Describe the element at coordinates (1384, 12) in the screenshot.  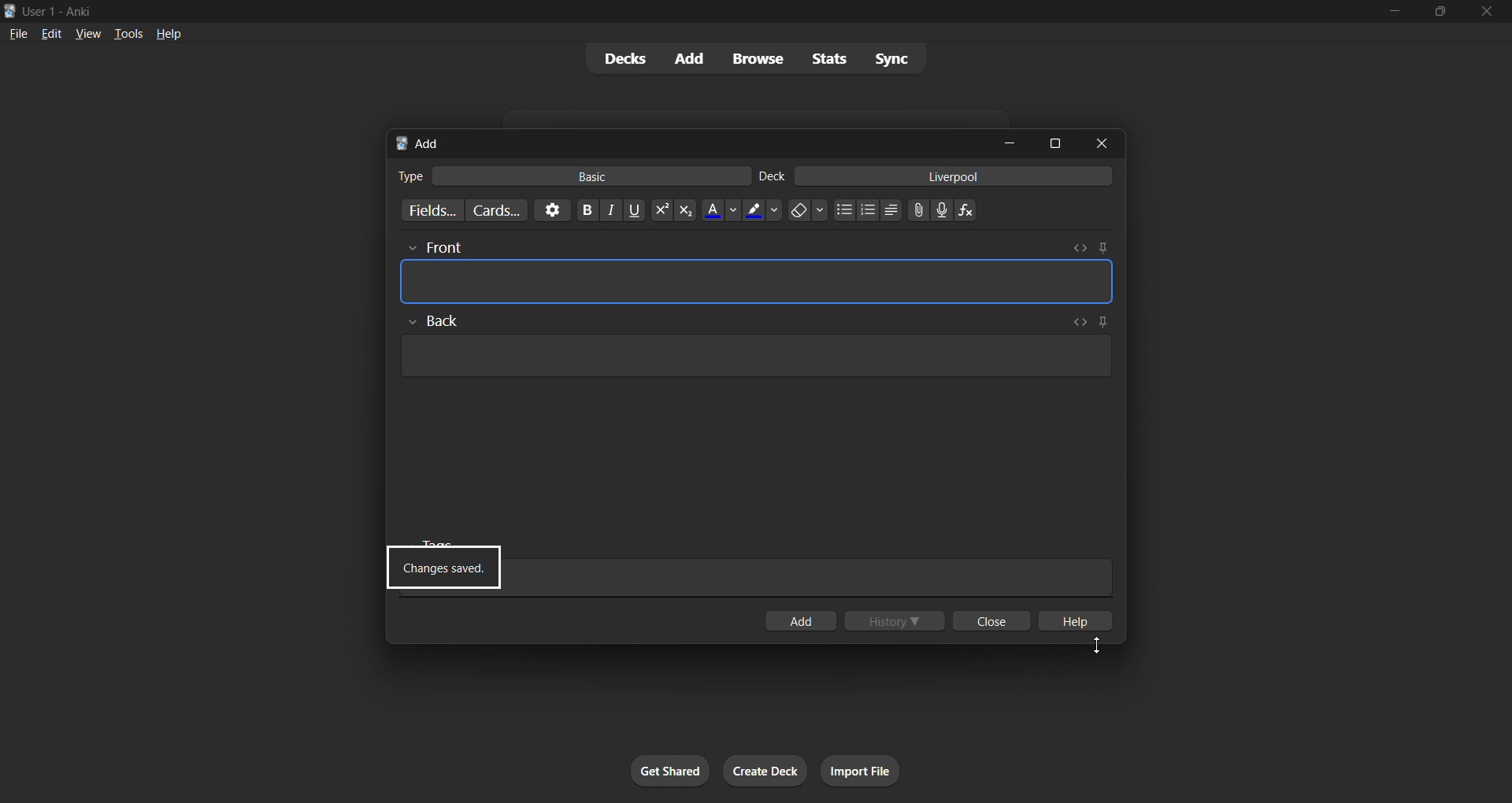
I see `minimize` at that location.